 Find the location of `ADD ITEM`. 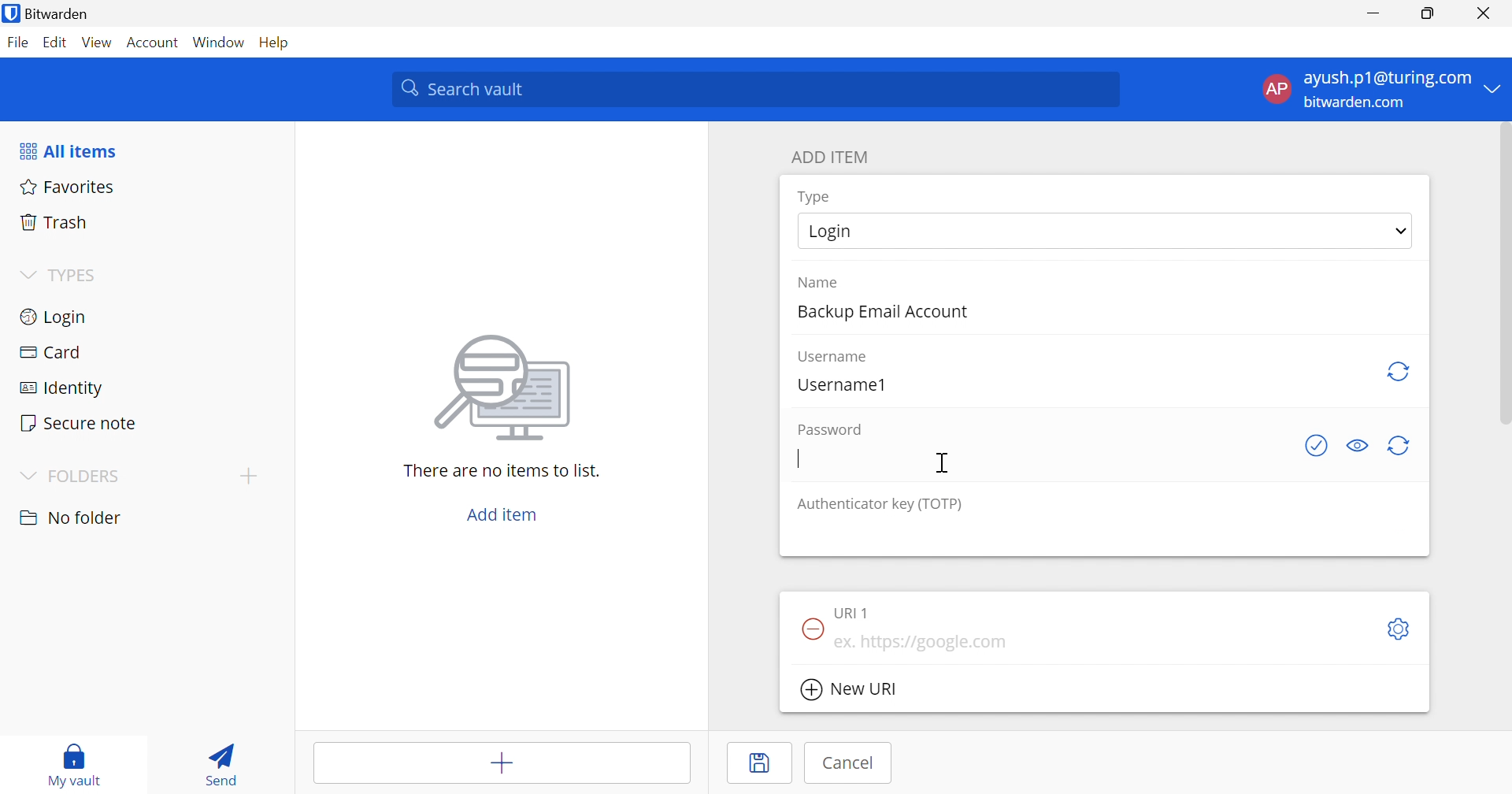

ADD ITEM is located at coordinates (830, 158).